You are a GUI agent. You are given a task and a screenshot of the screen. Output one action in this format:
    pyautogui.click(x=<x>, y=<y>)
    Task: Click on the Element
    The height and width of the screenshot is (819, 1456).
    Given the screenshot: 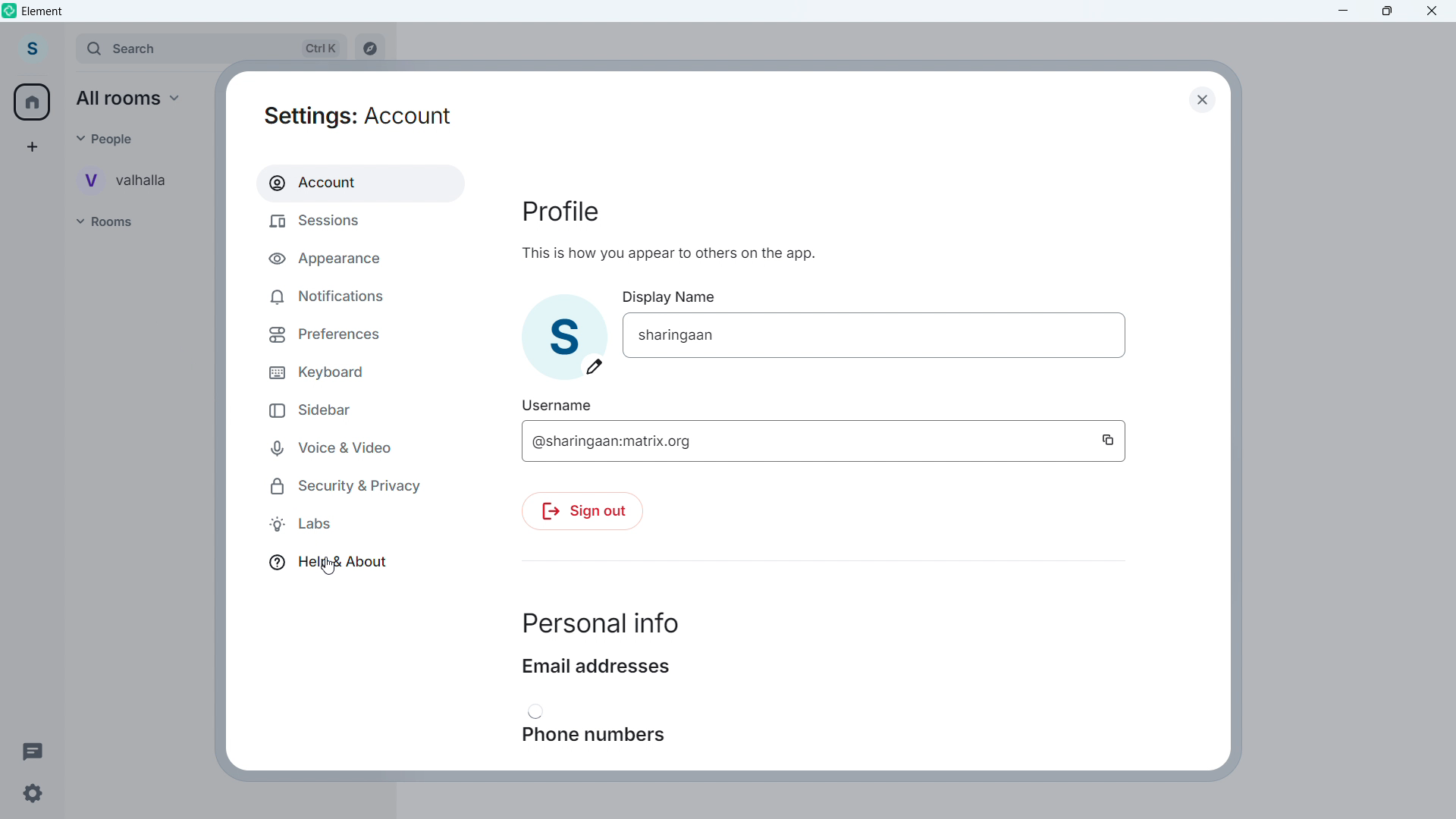 What is the action you would take?
    pyautogui.click(x=43, y=11)
    